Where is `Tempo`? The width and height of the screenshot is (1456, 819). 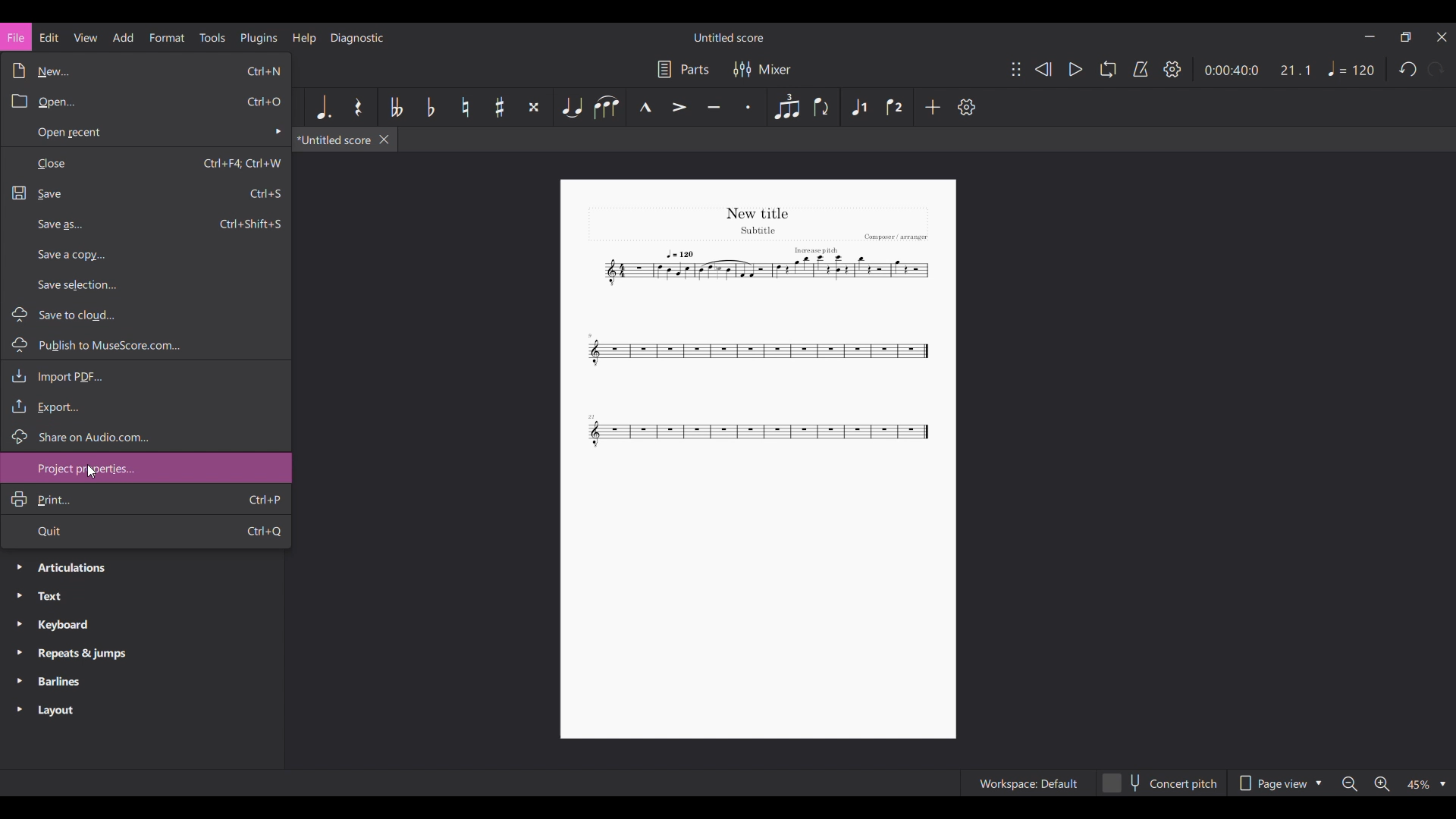
Tempo is located at coordinates (1352, 68).